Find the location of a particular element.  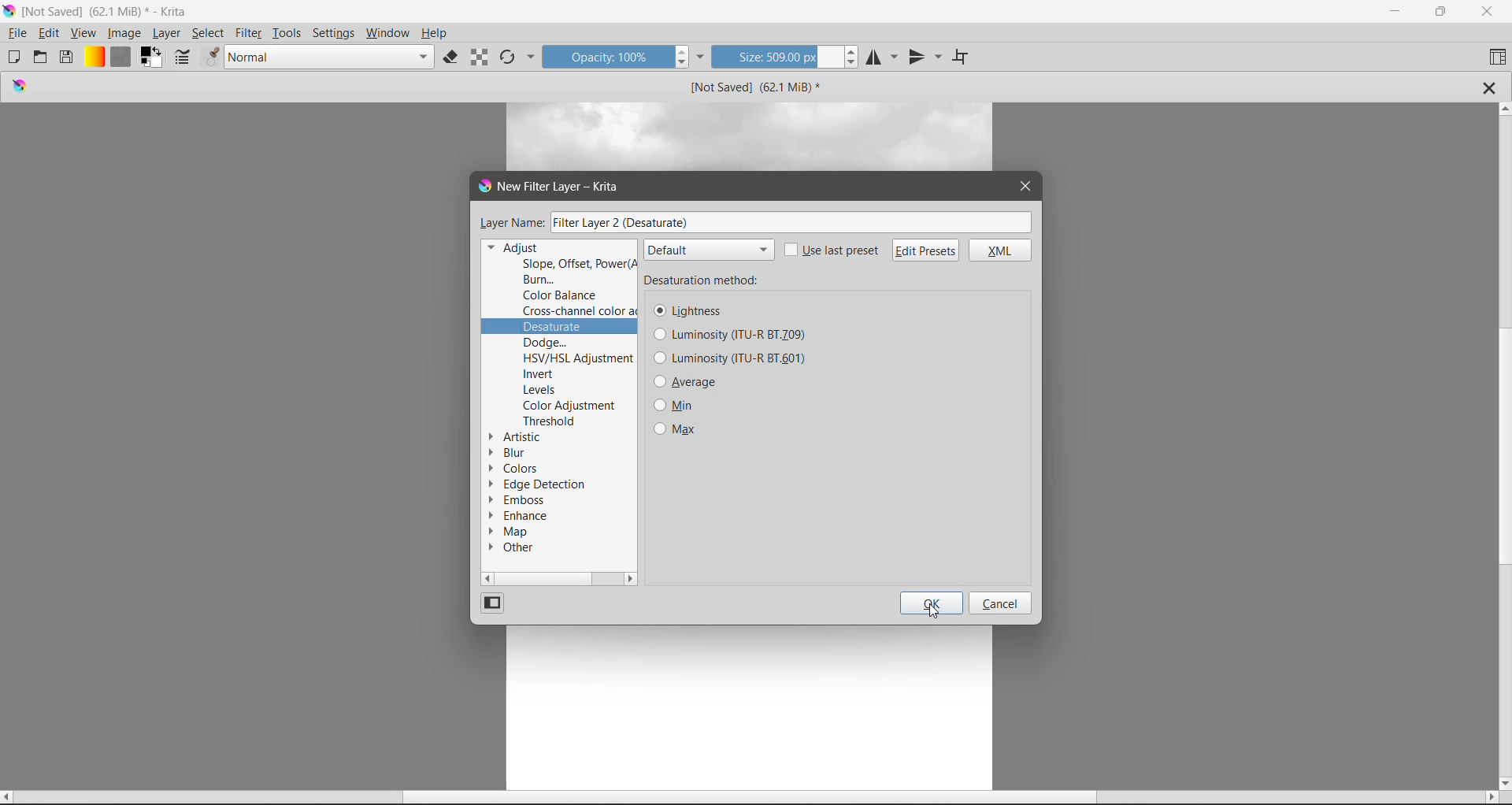

Create New Document is located at coordinates (13, 57).